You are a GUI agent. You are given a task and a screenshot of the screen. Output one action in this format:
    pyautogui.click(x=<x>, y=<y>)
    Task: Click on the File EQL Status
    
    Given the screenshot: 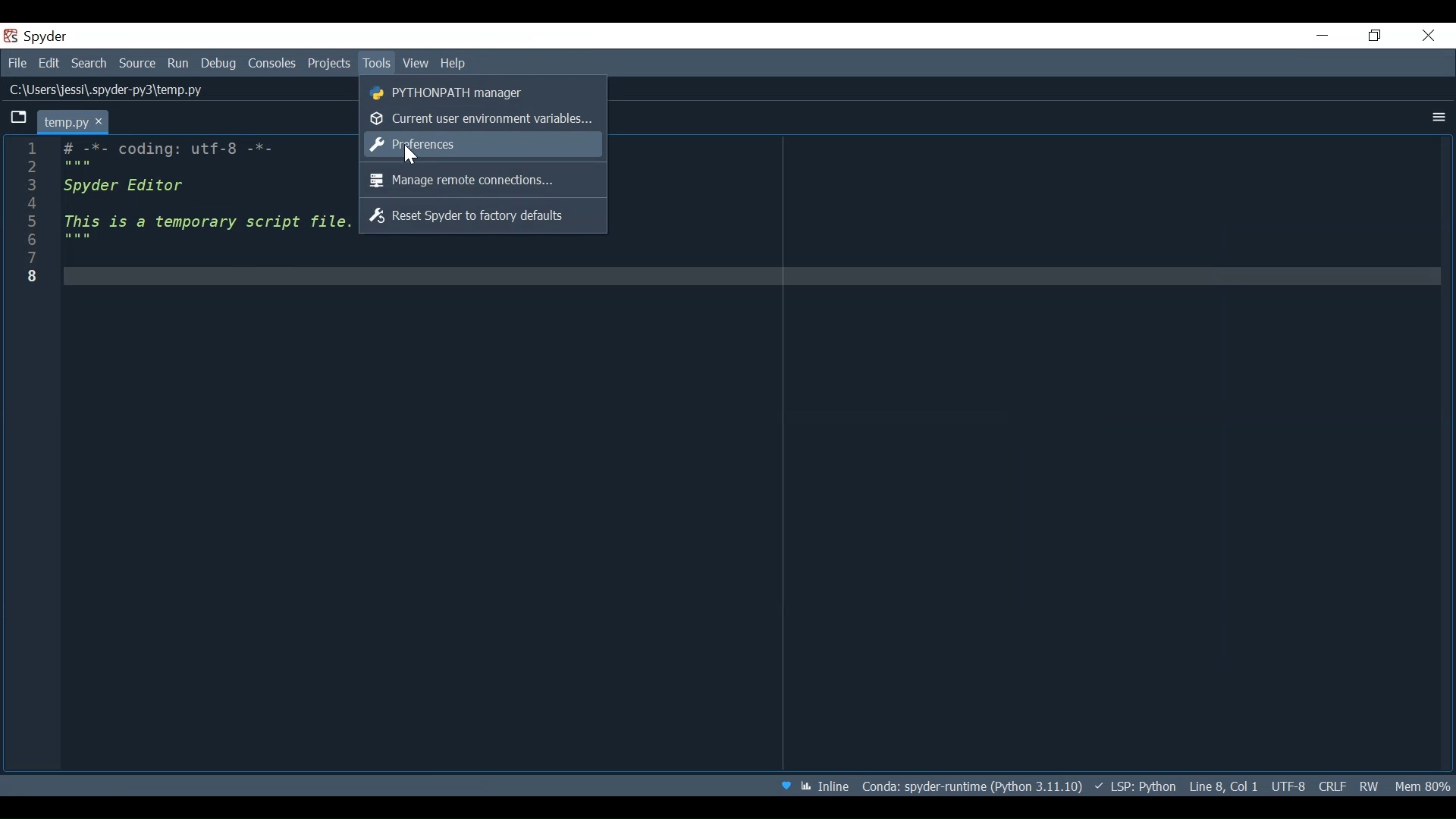 What is the action you would take?
    pyautogui.click(x=1337, y=786)
    